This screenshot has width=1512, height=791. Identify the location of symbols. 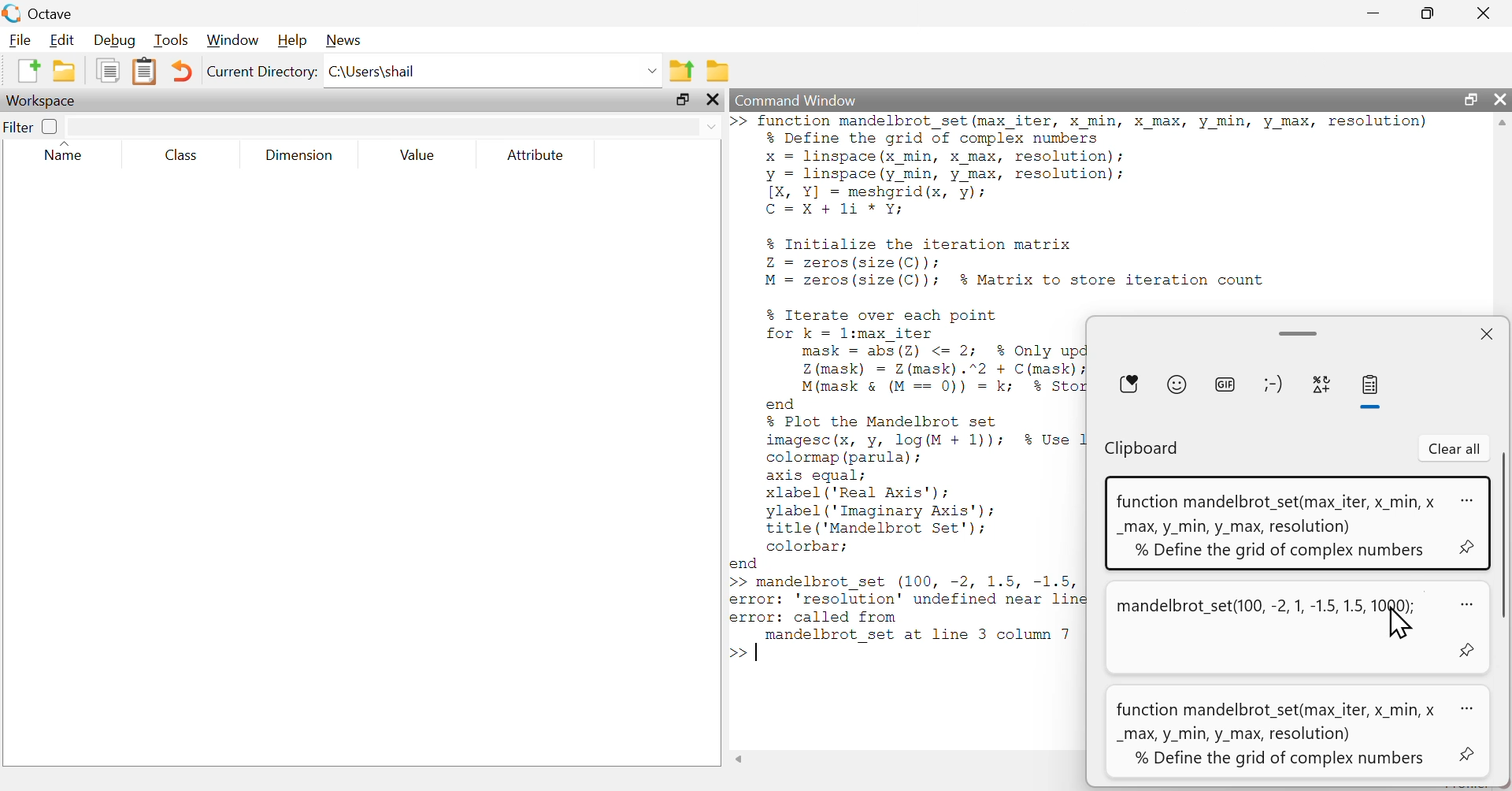
(1318, 384).